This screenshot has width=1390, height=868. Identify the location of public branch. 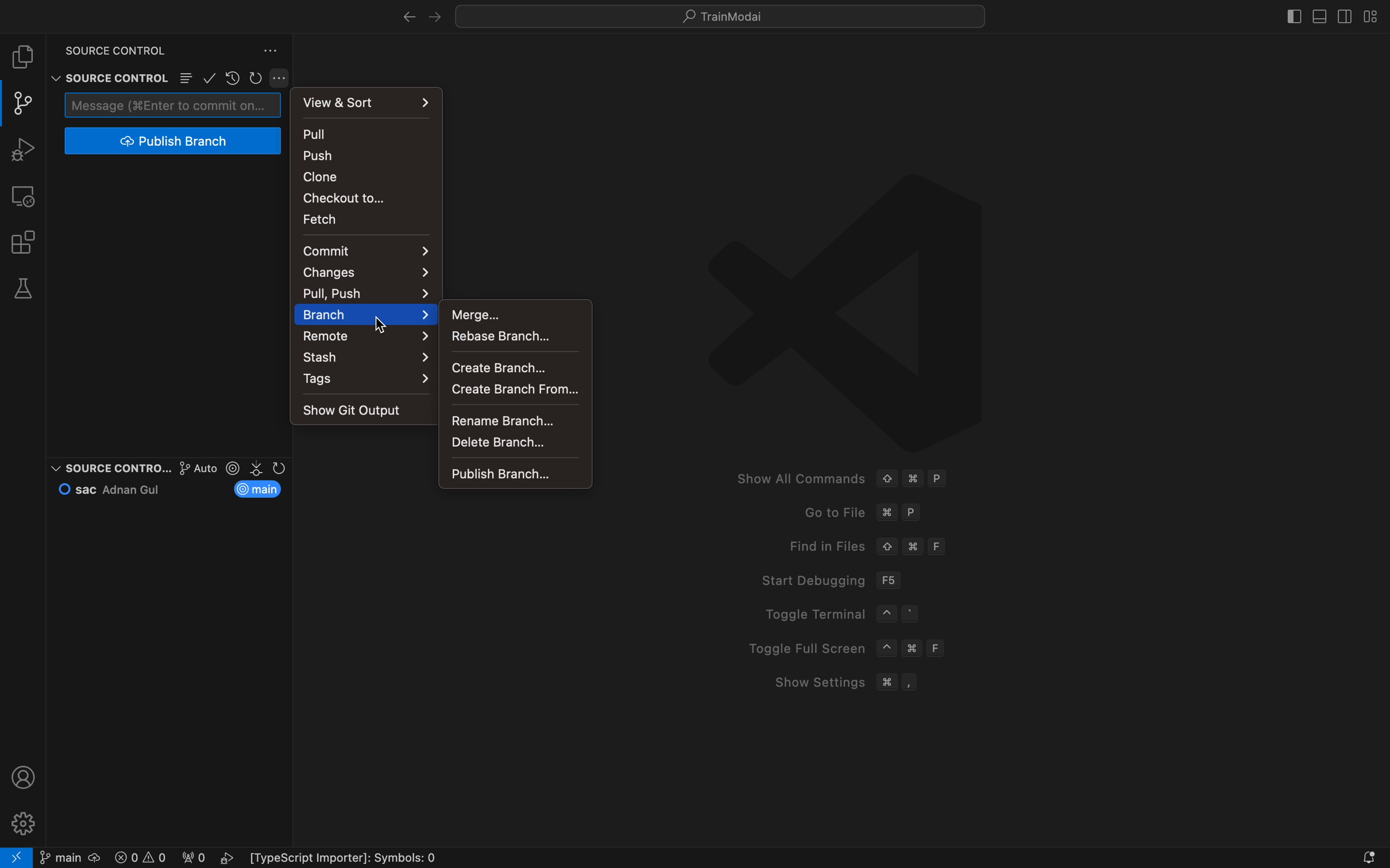
(514, 474).